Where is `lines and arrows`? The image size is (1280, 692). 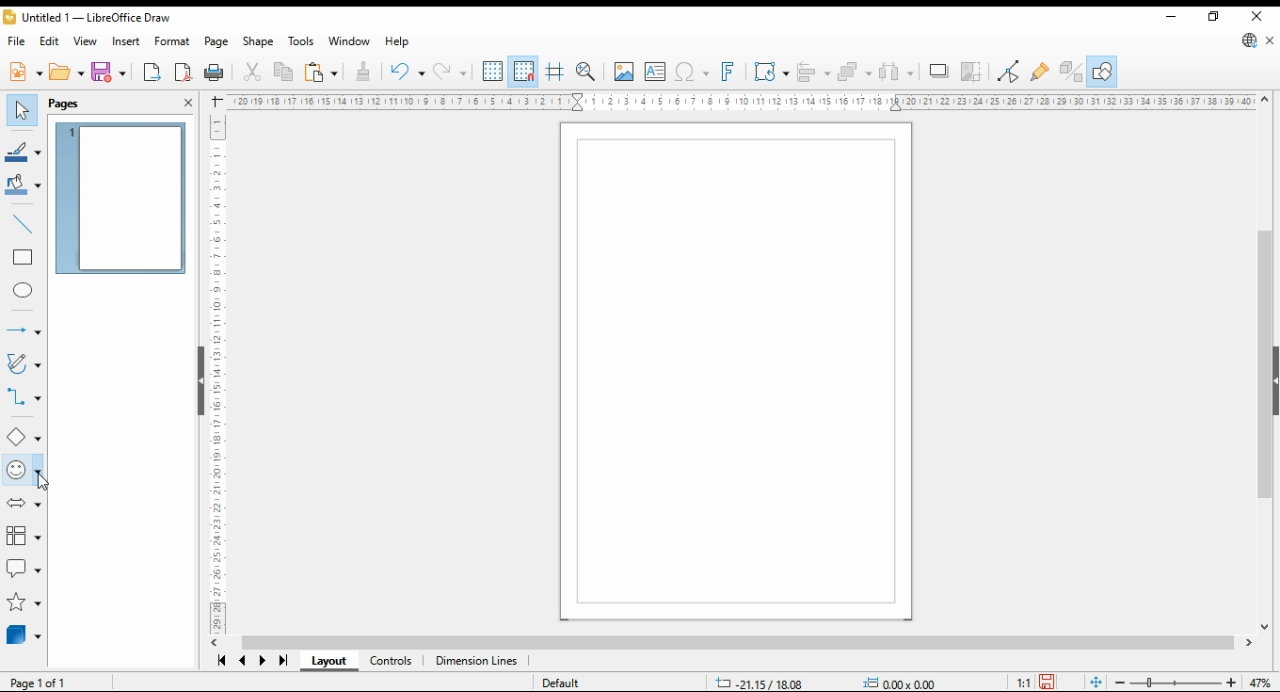 lines and arrows is located at coordinates (23, 327).